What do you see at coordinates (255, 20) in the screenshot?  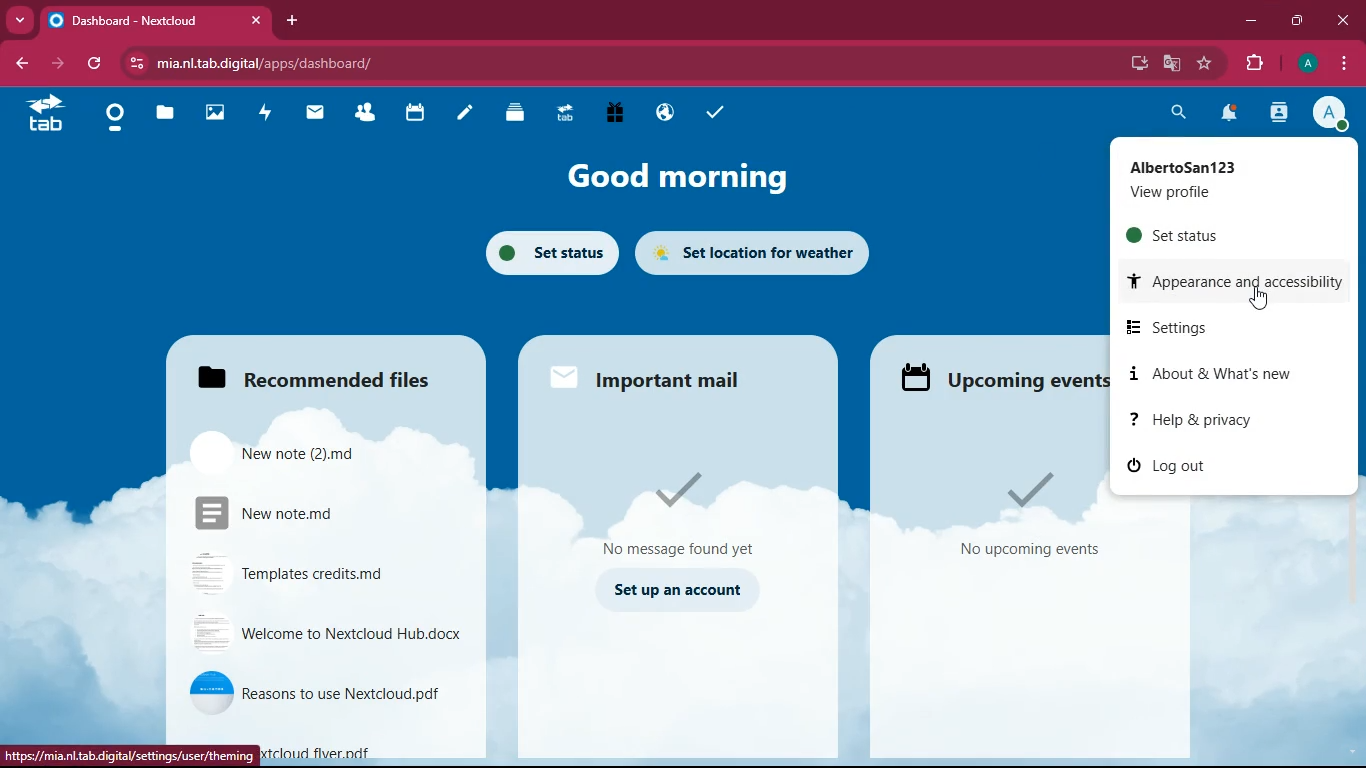 I see `close` at bounding box center [255, 20].